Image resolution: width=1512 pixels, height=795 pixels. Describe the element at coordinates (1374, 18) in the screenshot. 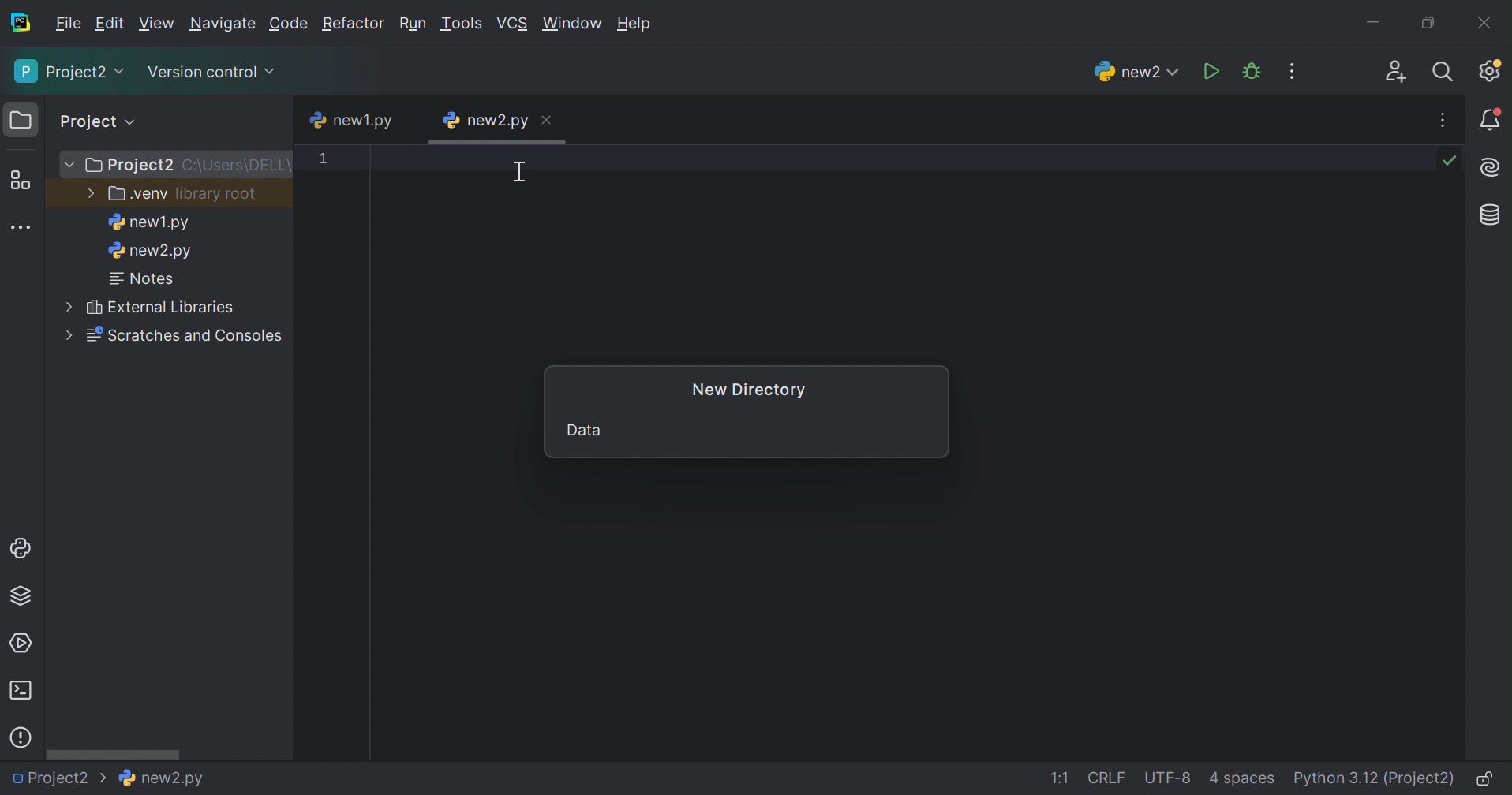

I see `Minimize` at that location.